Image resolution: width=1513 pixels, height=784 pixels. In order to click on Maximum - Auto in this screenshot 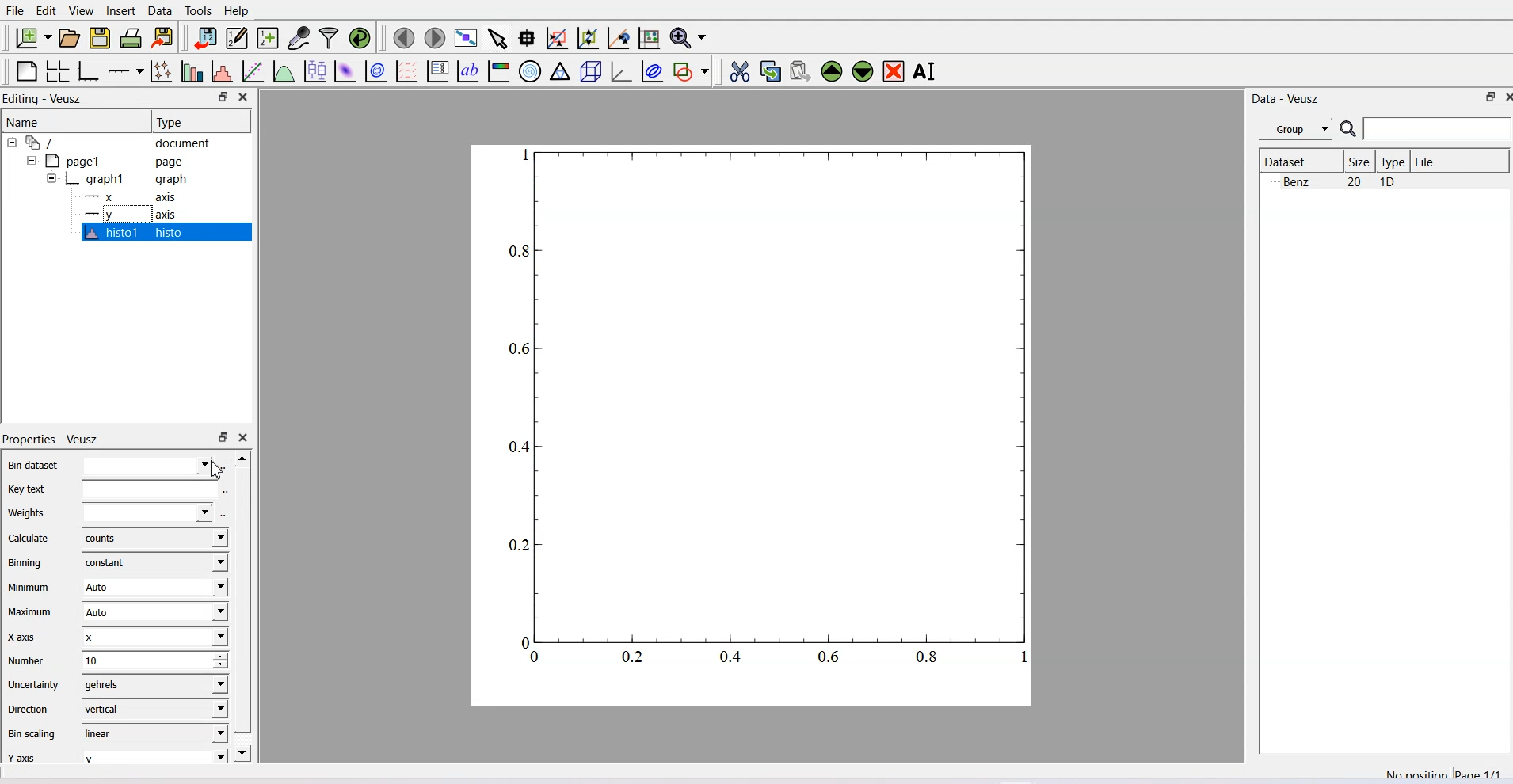, I will do `click(115, 611)`.